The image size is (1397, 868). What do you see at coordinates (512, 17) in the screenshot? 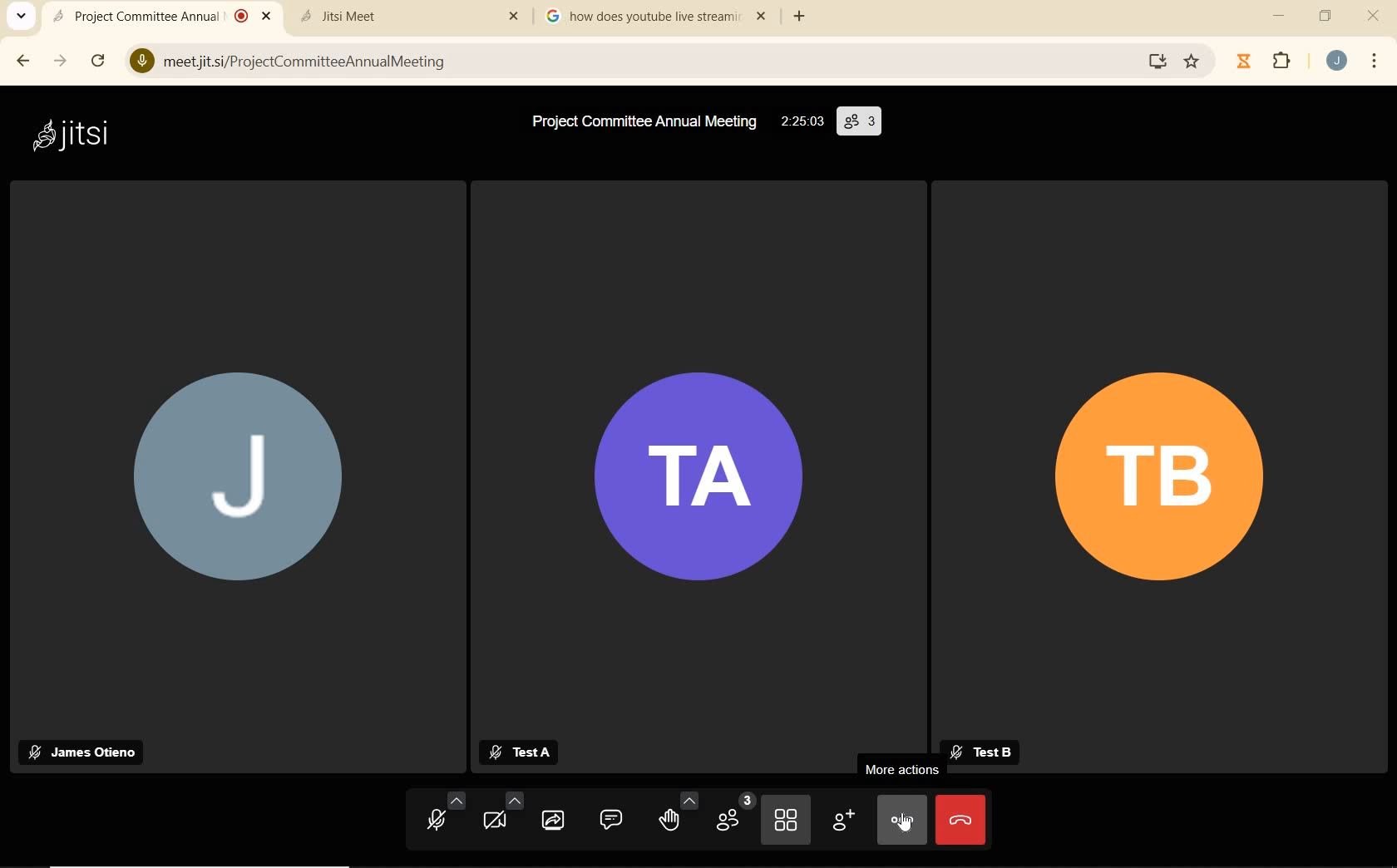
I see `` at bounding box center [512, 17].